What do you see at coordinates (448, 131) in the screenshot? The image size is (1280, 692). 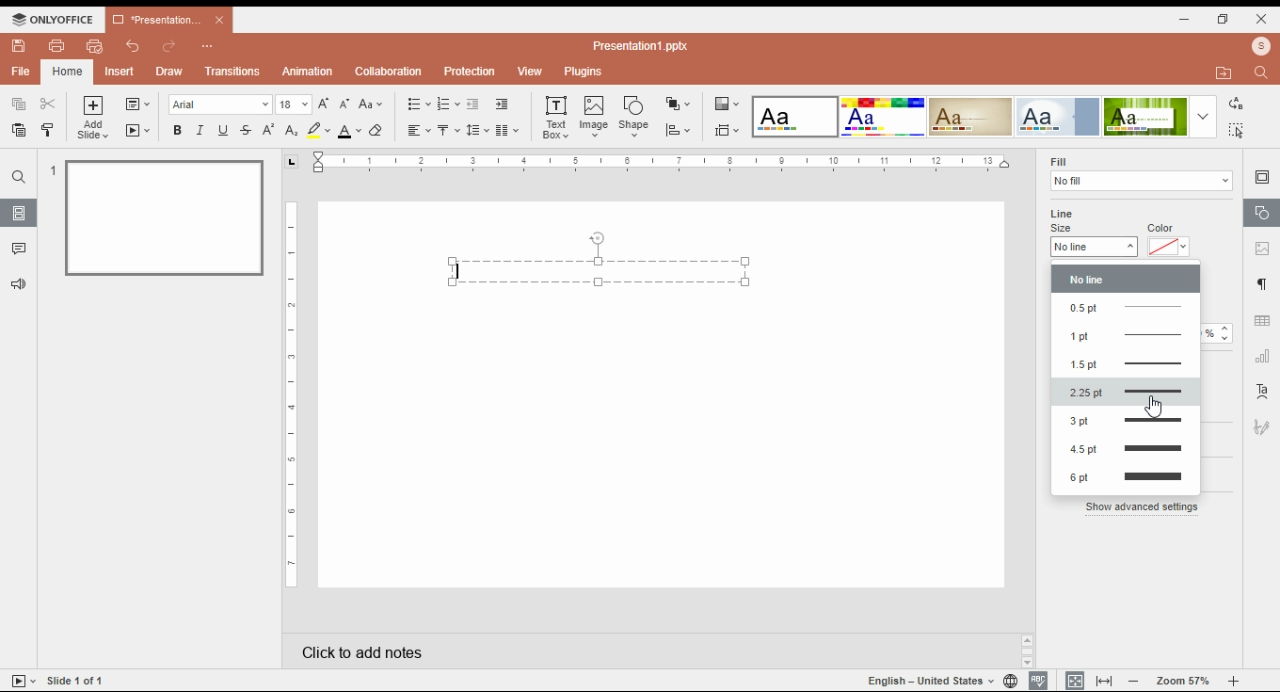 I see `vertical alignment` at bounding box center [448, 131].